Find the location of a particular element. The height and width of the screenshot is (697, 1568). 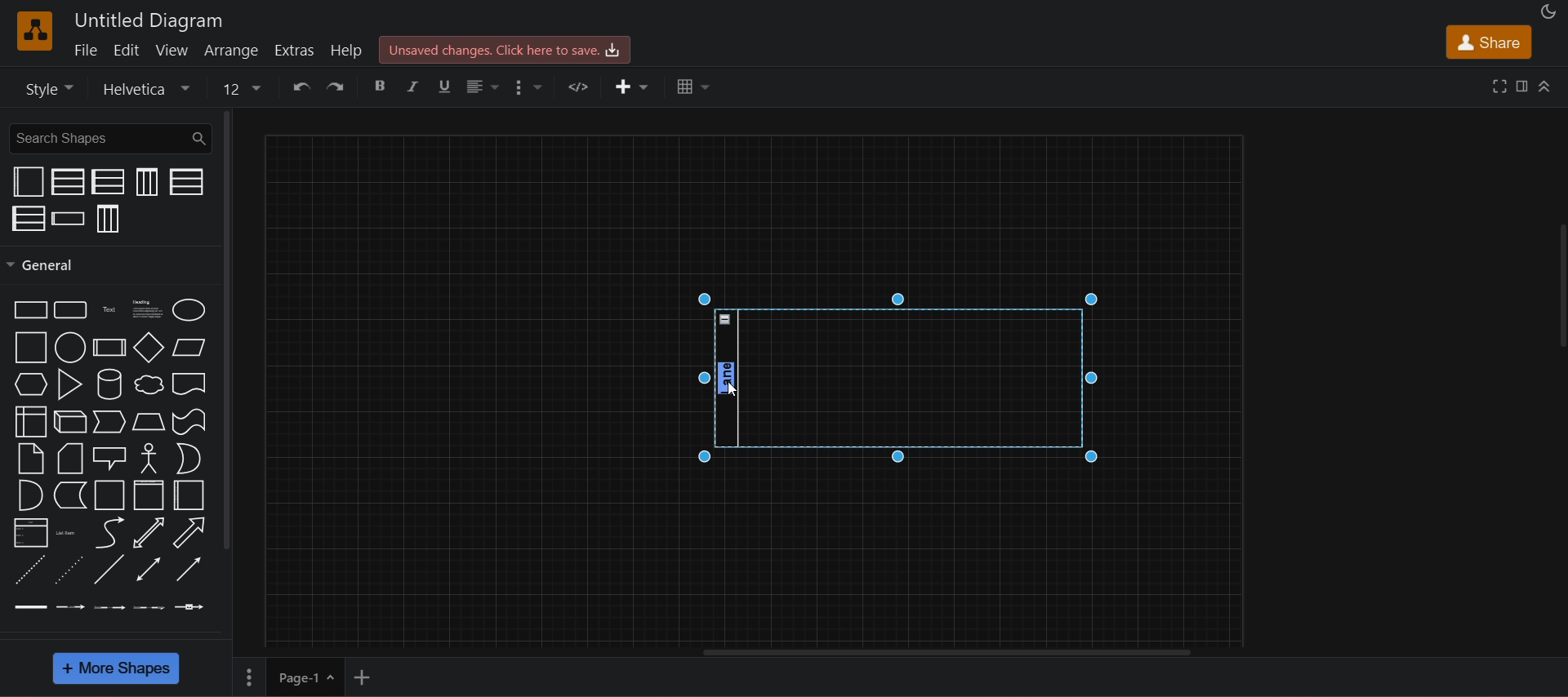

share is located at coordinates (1490, 42).